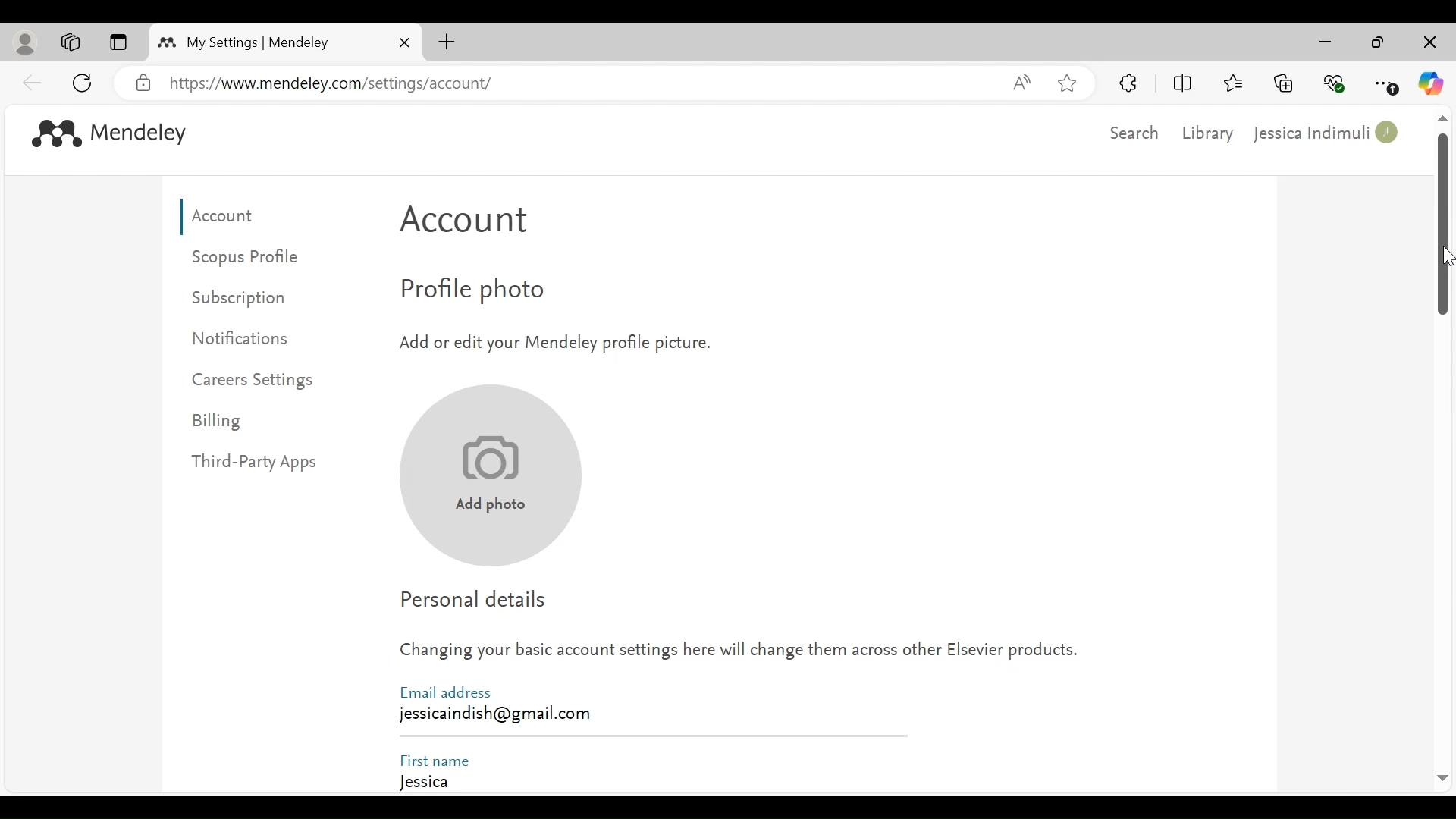 This screenshot has width=1456, height=819. I want to click on Search , so click(1131, 133).